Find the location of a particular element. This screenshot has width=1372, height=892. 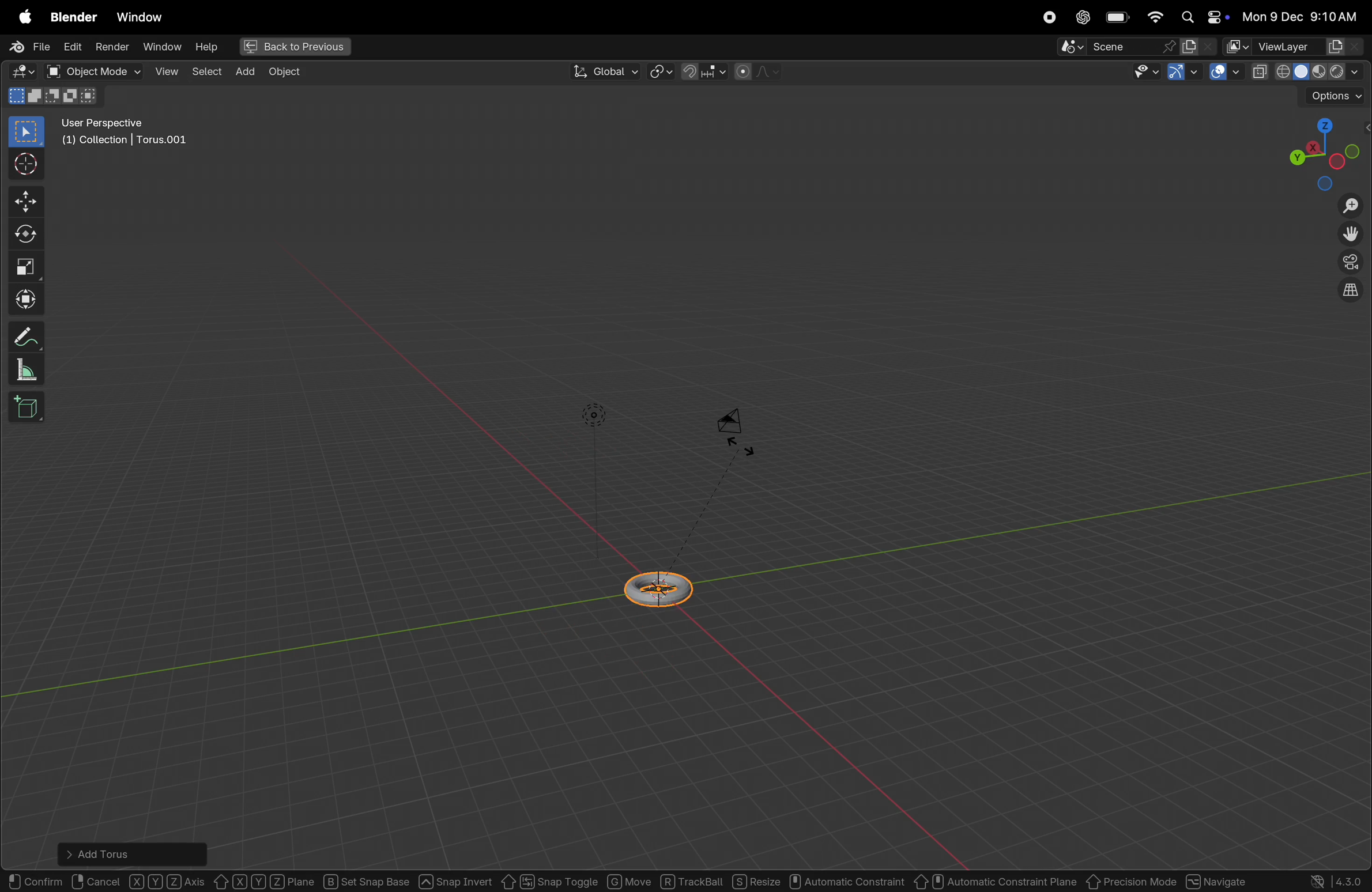

Gimzos is located at coordinates (1182, 73).